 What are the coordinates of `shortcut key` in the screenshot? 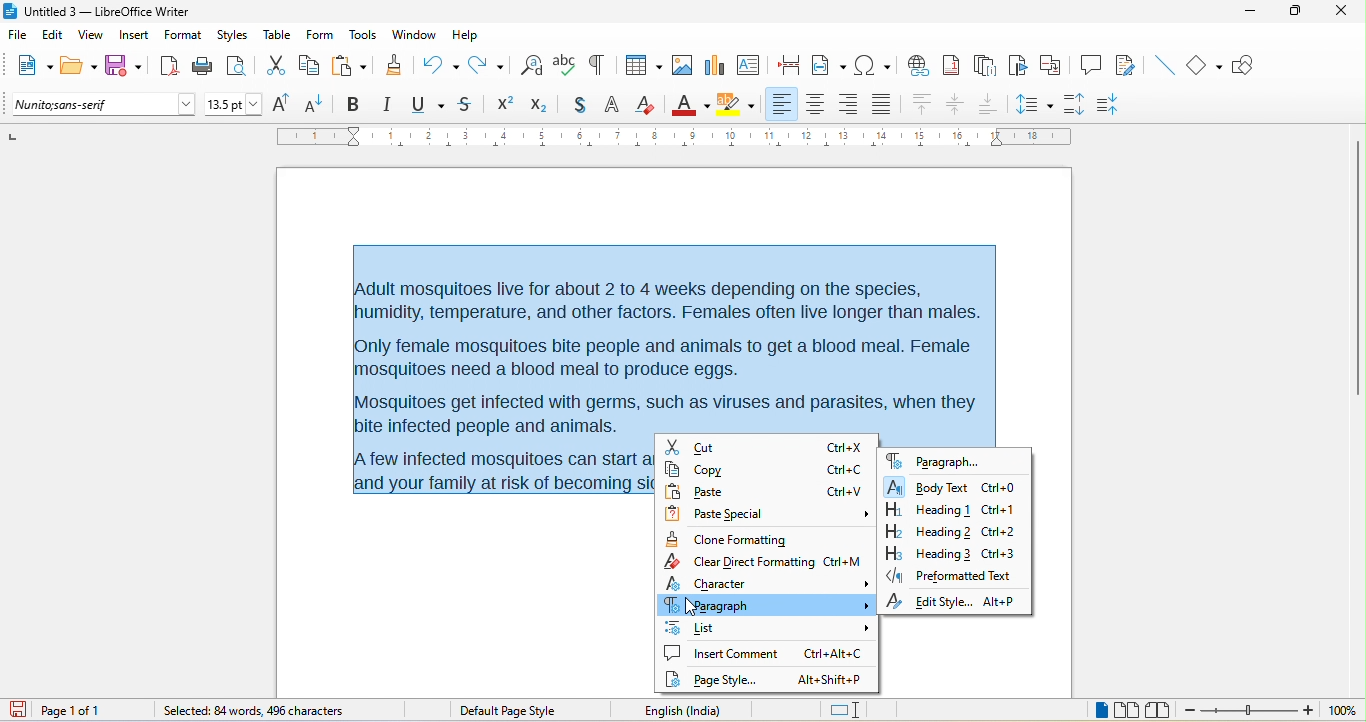 It's located at (843, 448).